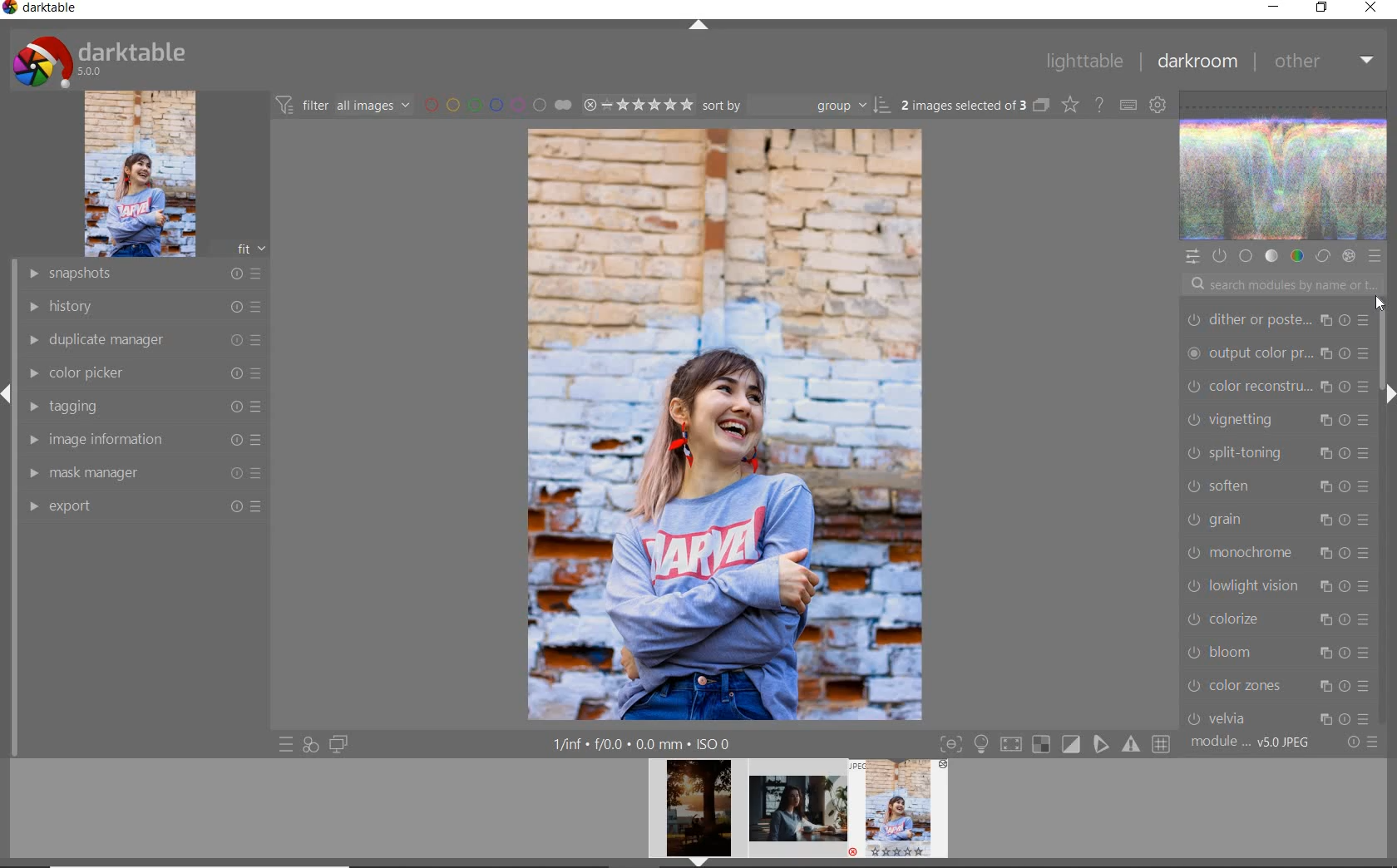 The height and width of the screenshot is (868, 1397). I want to click on composite, so click(1277, 515).